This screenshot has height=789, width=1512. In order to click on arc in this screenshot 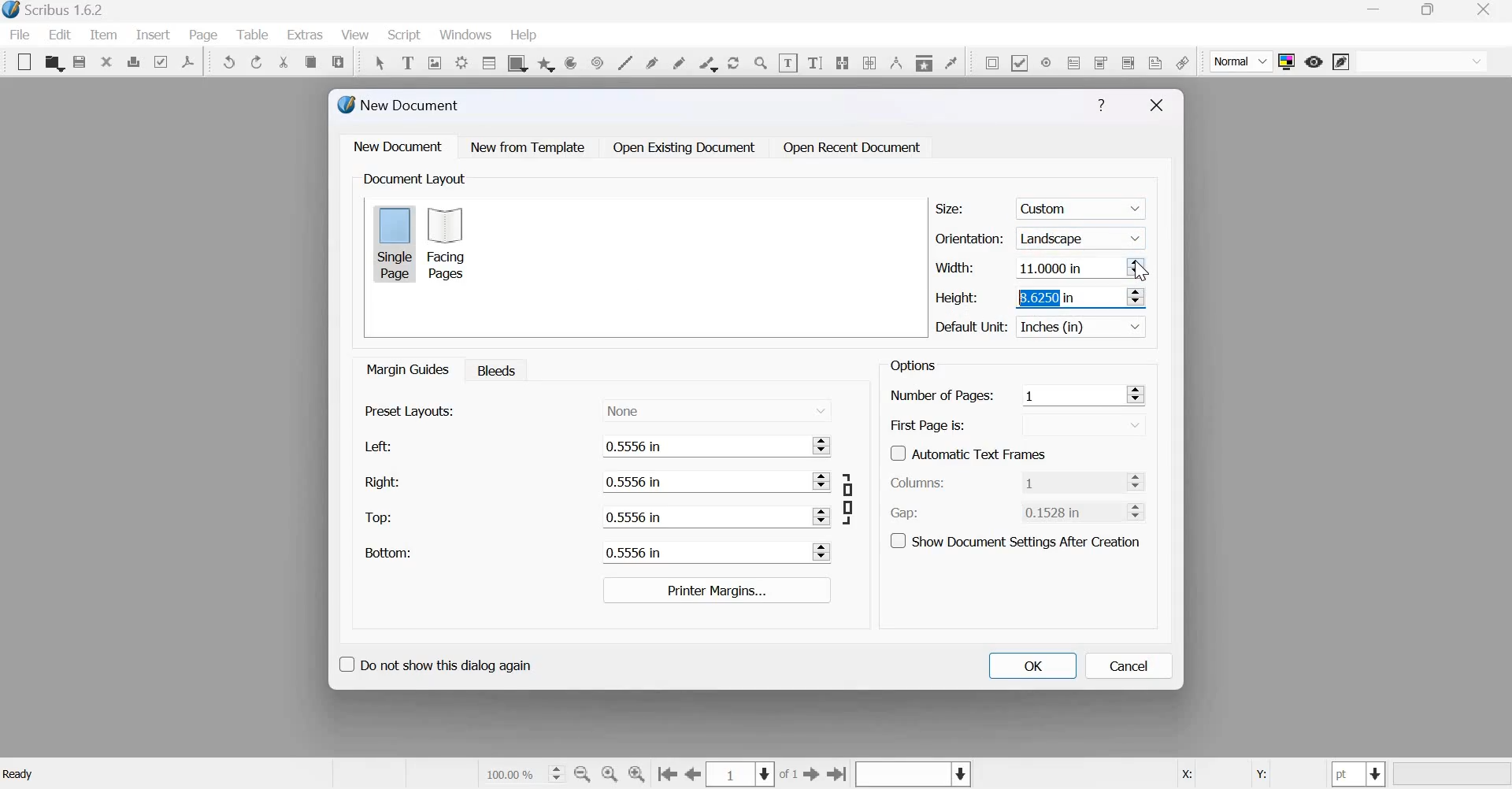, I will do `click(546, 62)`.